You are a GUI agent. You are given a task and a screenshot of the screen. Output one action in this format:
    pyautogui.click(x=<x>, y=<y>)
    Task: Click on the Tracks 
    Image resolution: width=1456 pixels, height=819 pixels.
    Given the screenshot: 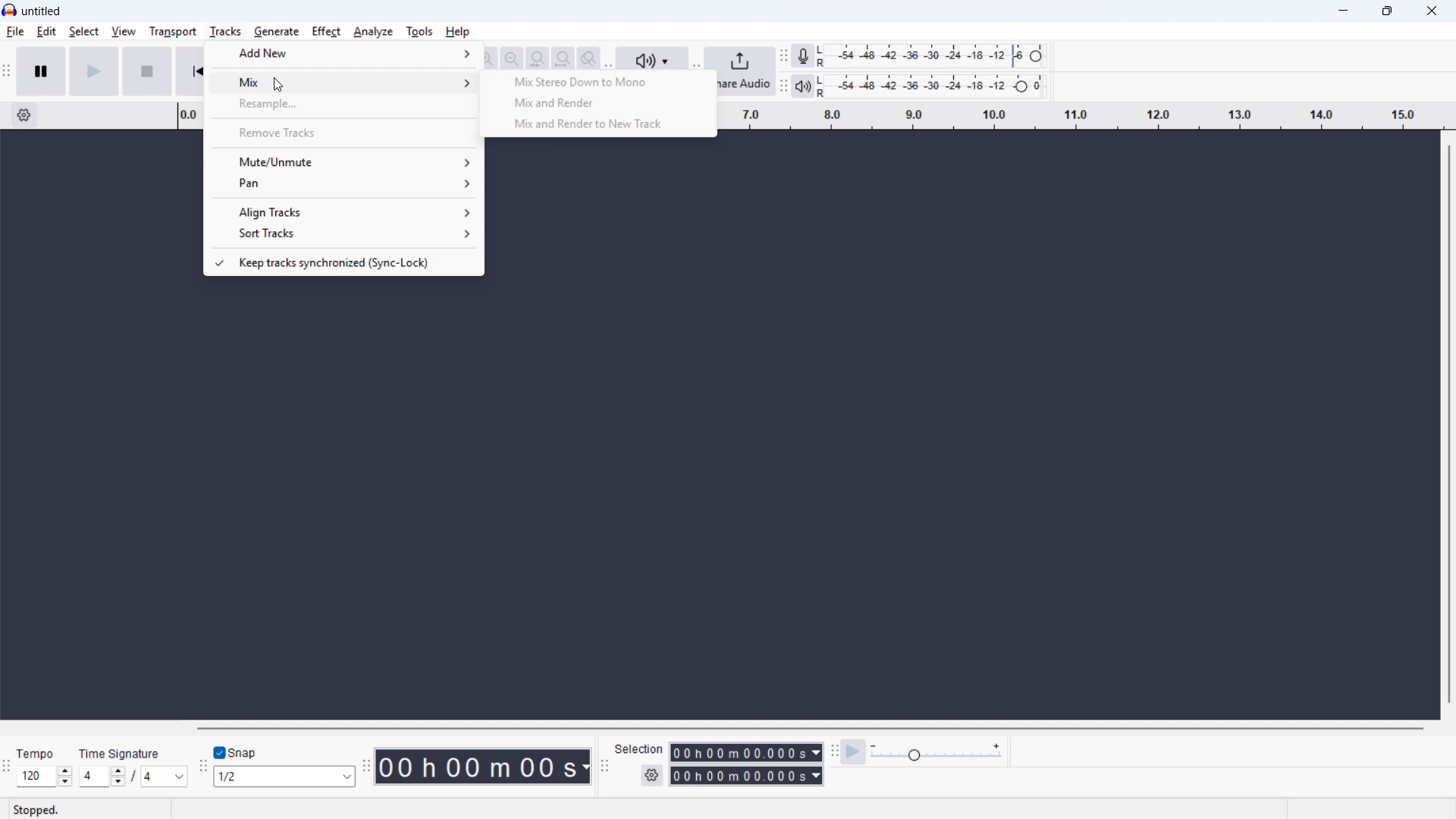 What is the action you would take?
    pyautogui.click(x=226, y=31)
    